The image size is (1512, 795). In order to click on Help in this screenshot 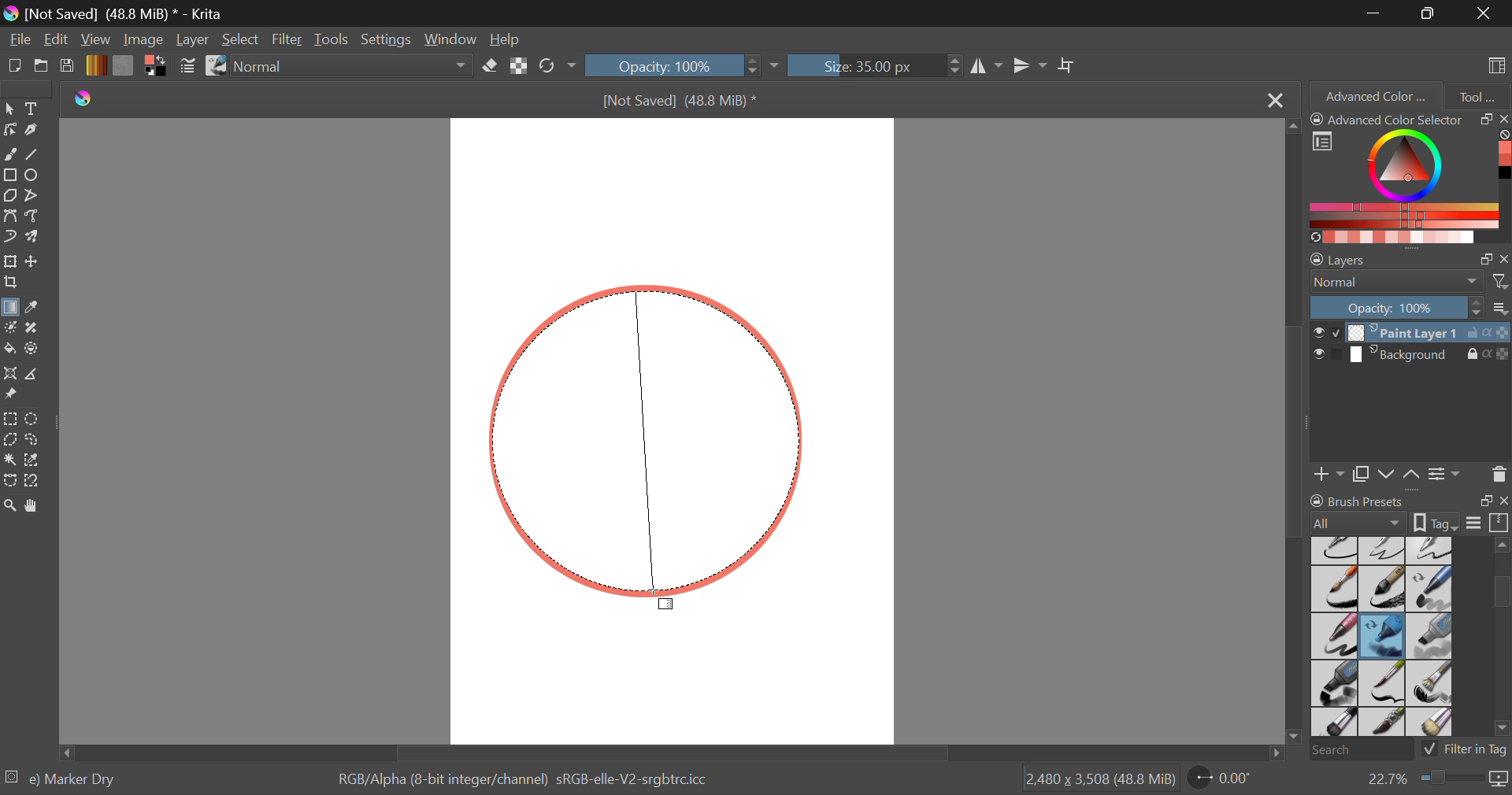, I will do `click(507, 41)`.